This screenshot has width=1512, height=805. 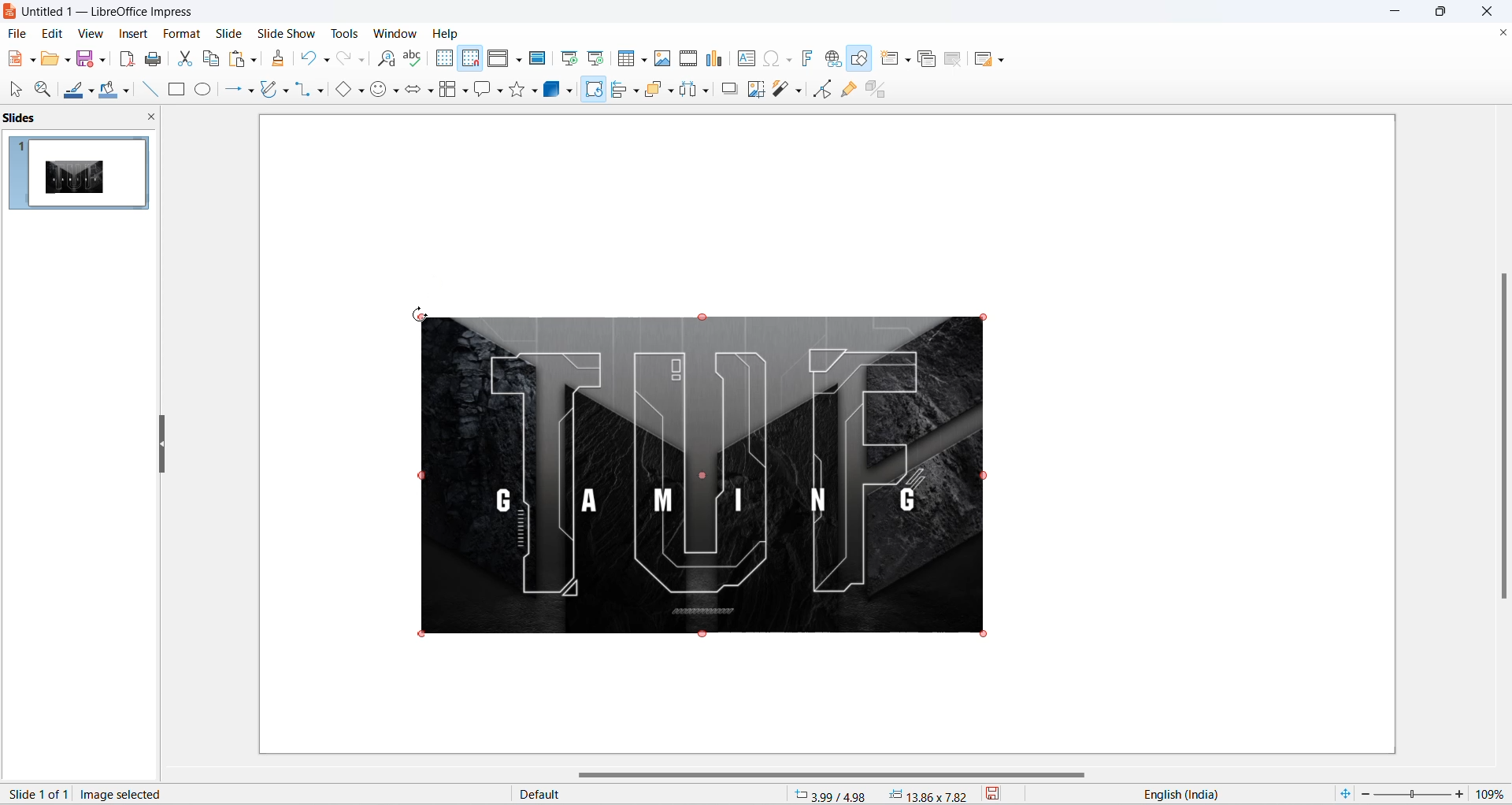 I want to click on zoom increase, so click(x=1462, y=793).